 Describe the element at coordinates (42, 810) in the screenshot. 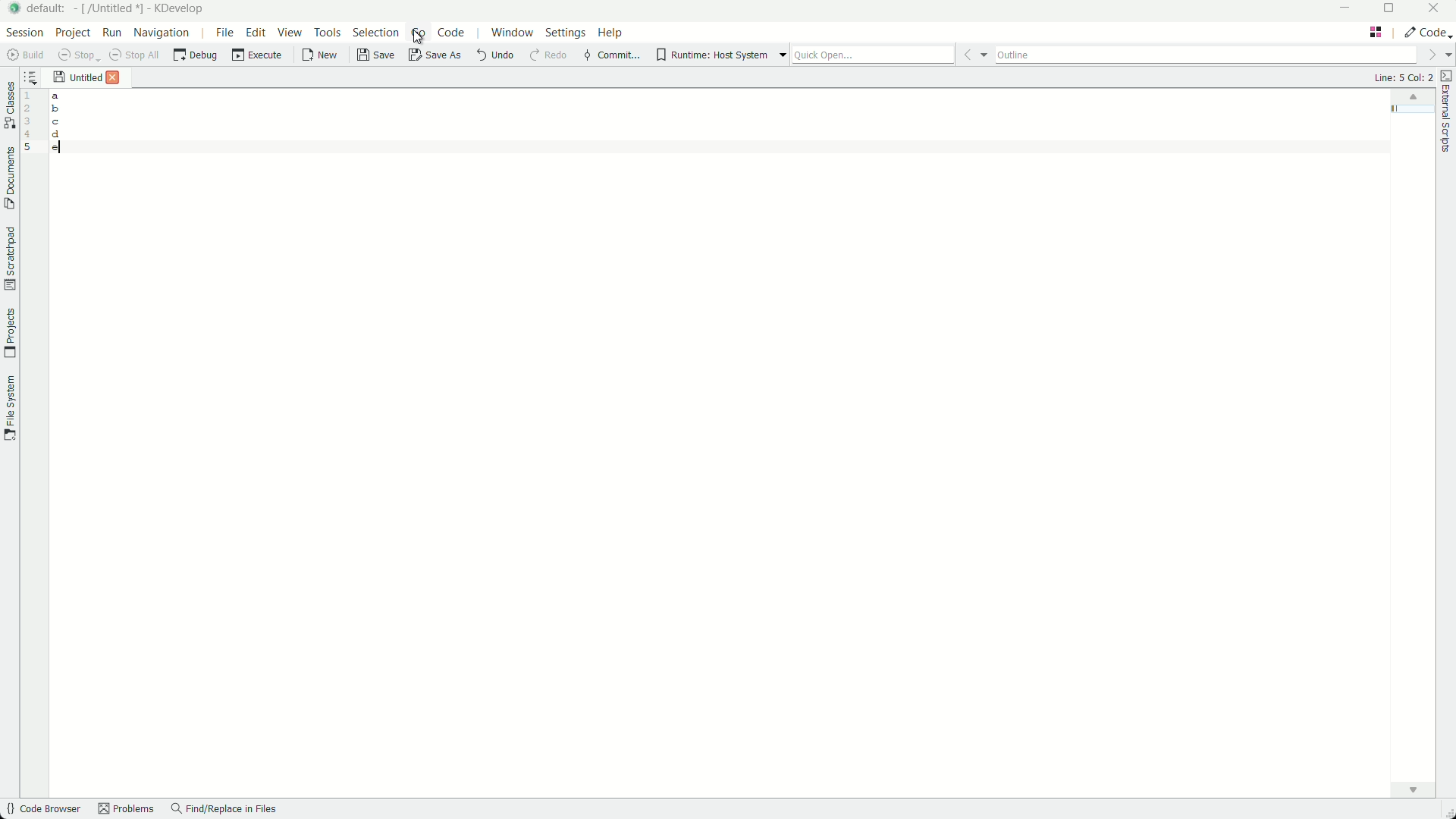

I see `code browser` at that location.